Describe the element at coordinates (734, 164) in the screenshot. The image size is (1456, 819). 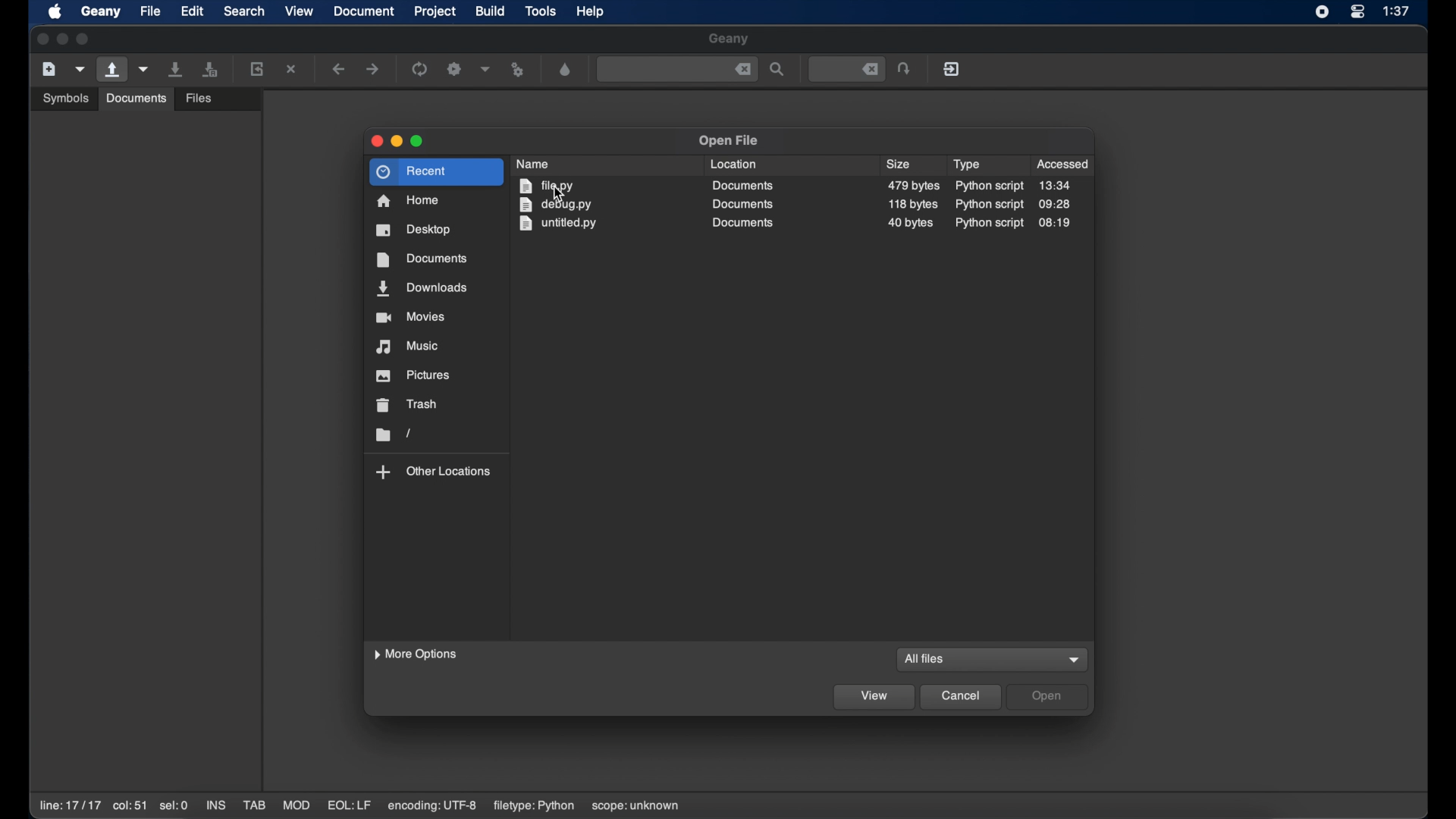
I see `location` at that location.